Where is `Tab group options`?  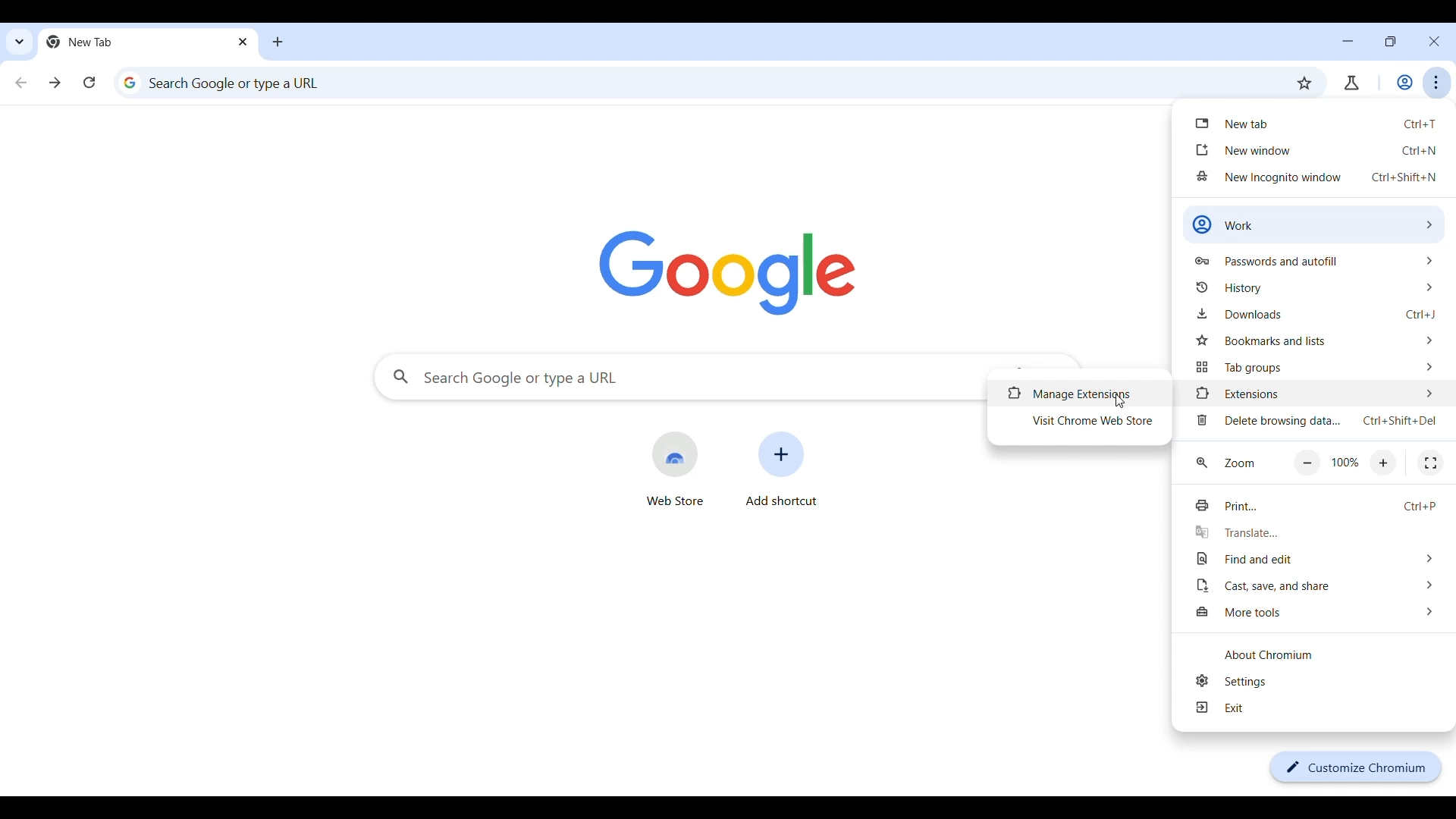
Tab group options is located at coordinates (1314, 367).